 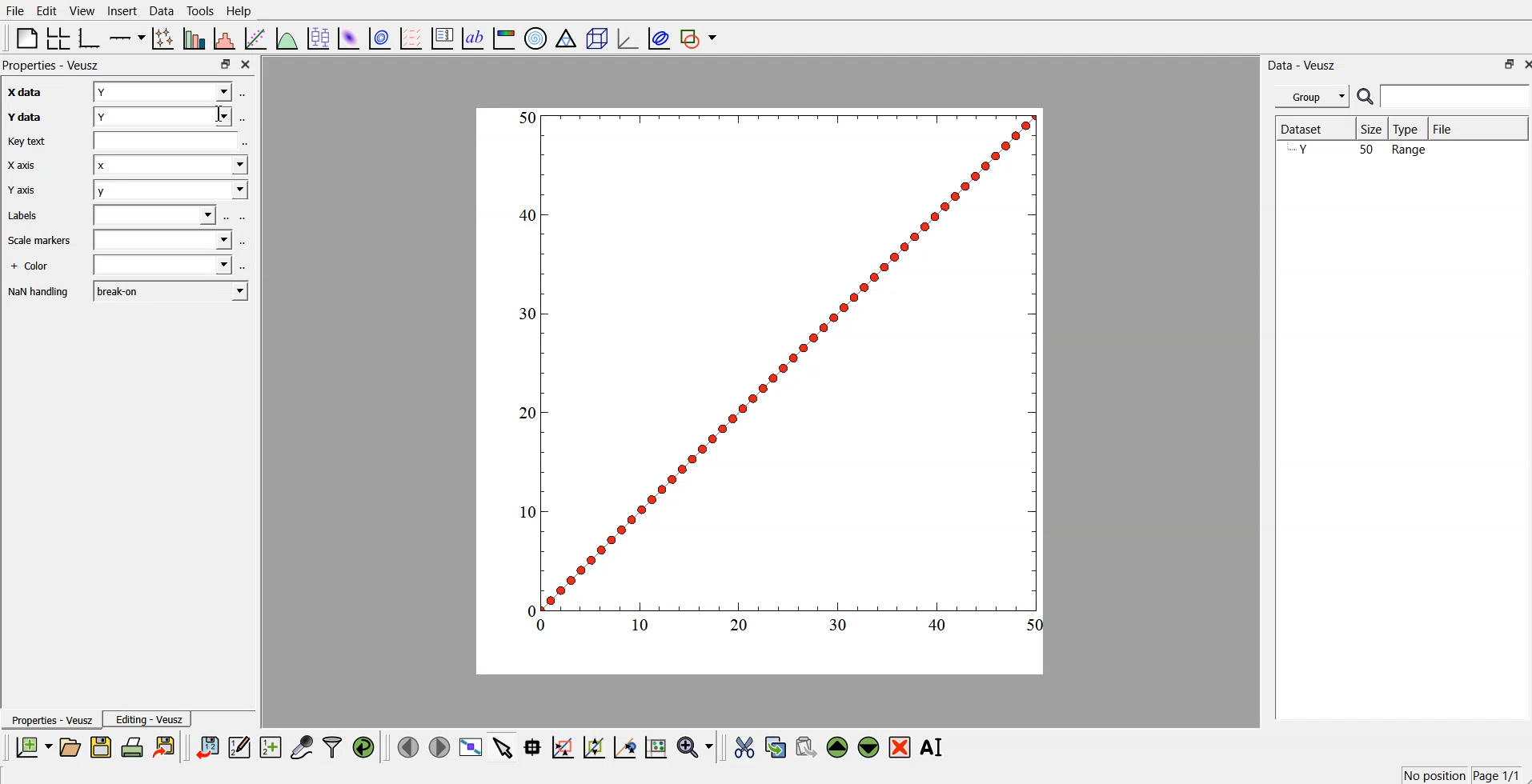 I want to click on open document, so click(x=72, y=748).